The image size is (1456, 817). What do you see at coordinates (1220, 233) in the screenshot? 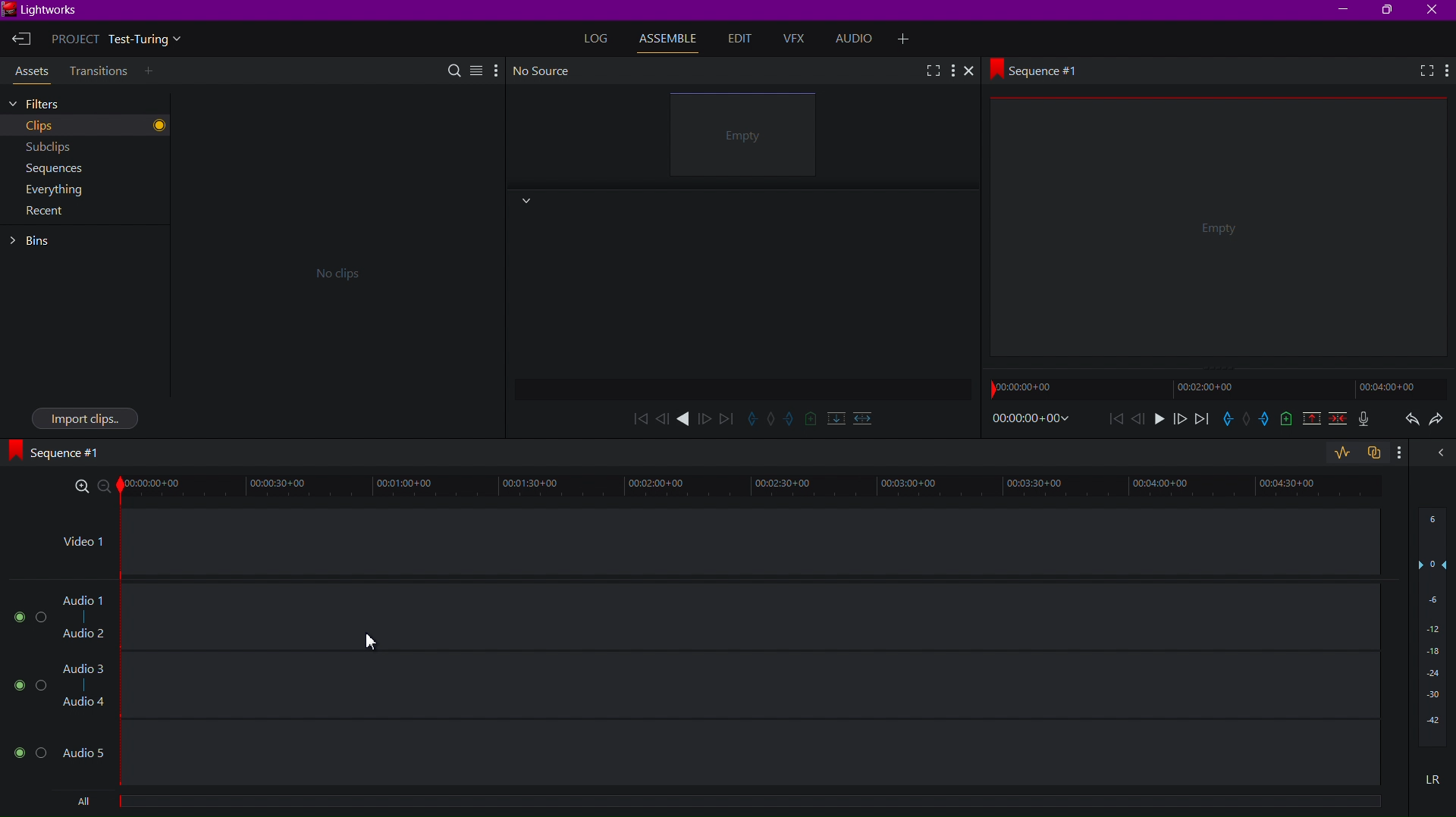
I see `Sequence View` at bounding box center [1220, 233].